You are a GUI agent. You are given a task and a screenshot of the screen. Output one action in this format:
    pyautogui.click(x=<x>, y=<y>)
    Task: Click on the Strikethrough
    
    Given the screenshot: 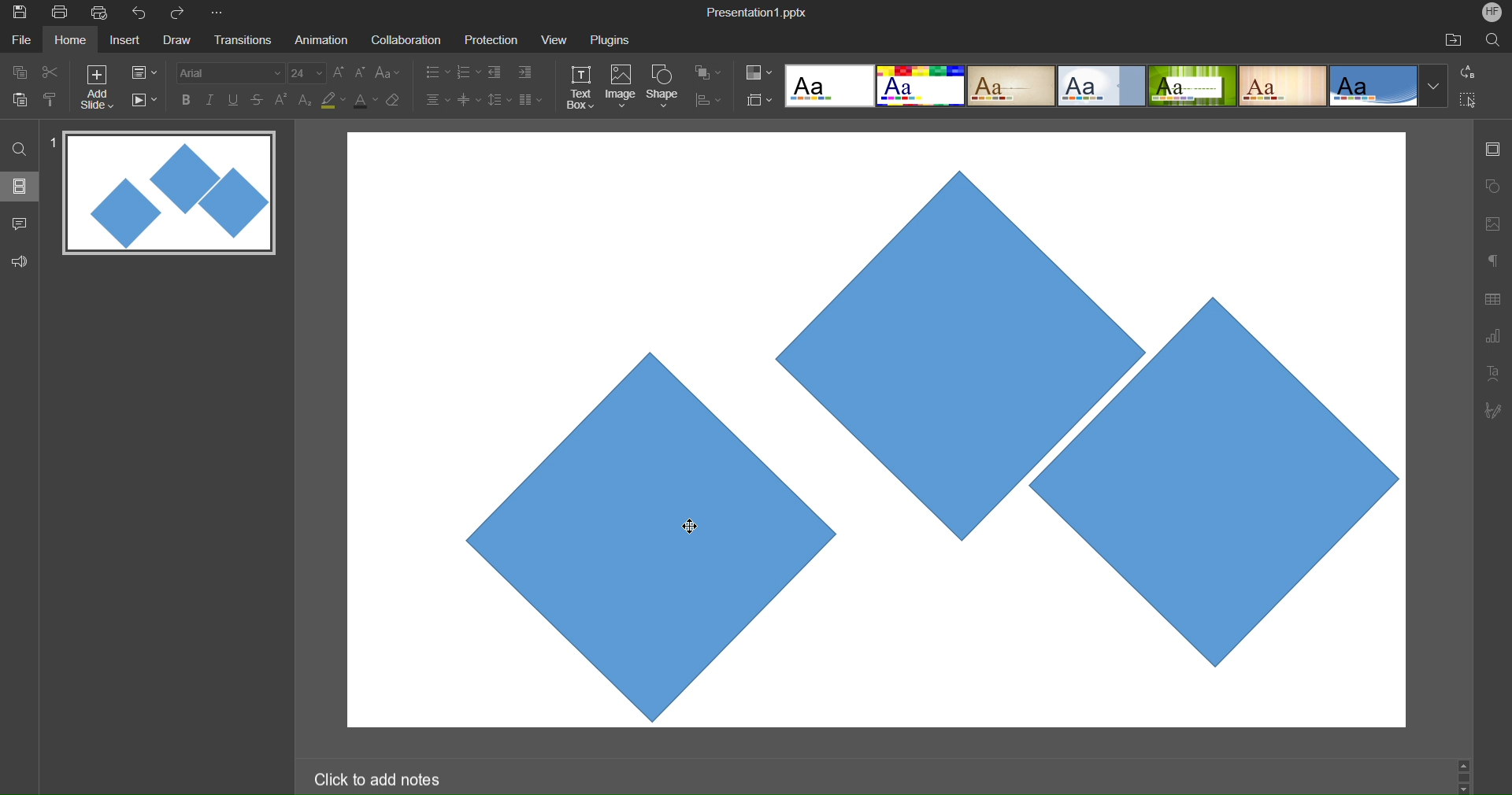 What is the action you would take?
    pyautogui.click(x=258, y=99)
    